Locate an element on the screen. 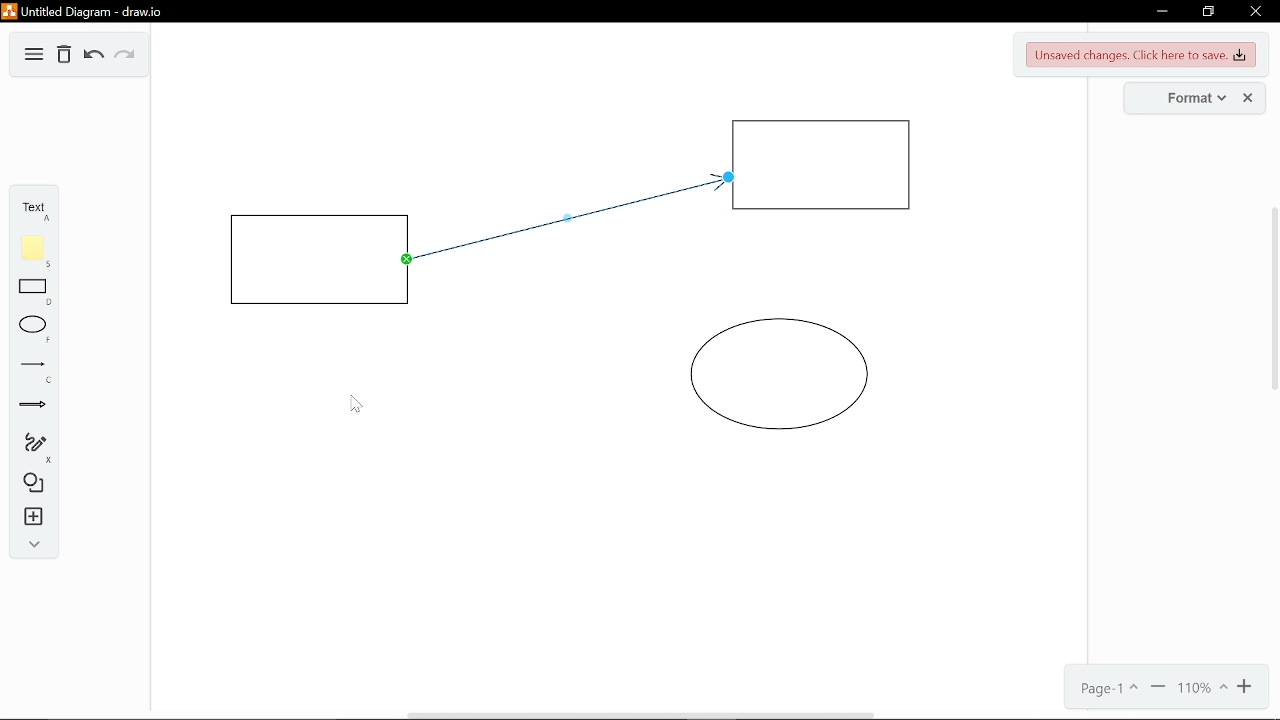 The height and width of the screenshot is (720, 1280). Ellipse is located at coordinates (34, 330).